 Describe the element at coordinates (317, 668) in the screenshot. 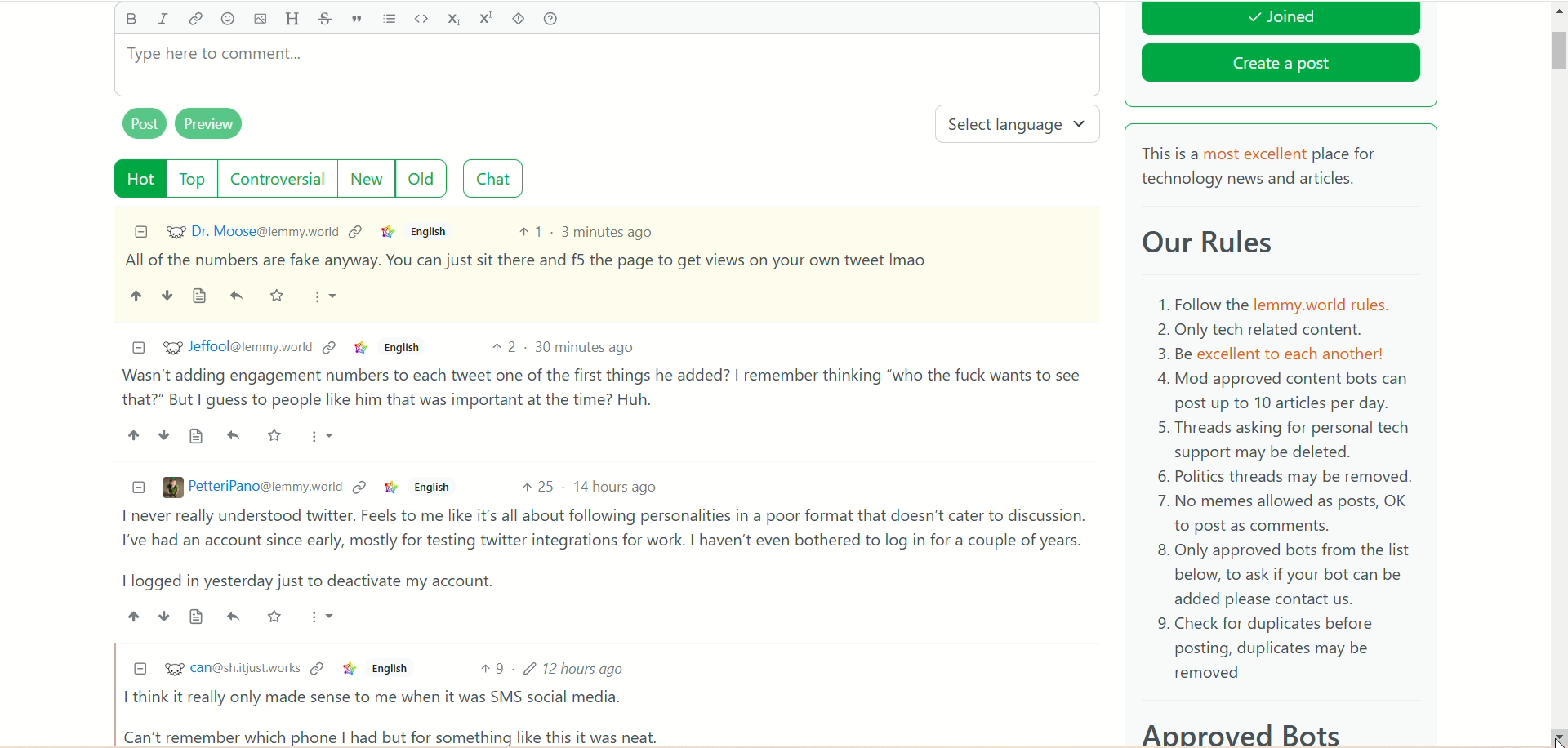

I see `Link` at that location.